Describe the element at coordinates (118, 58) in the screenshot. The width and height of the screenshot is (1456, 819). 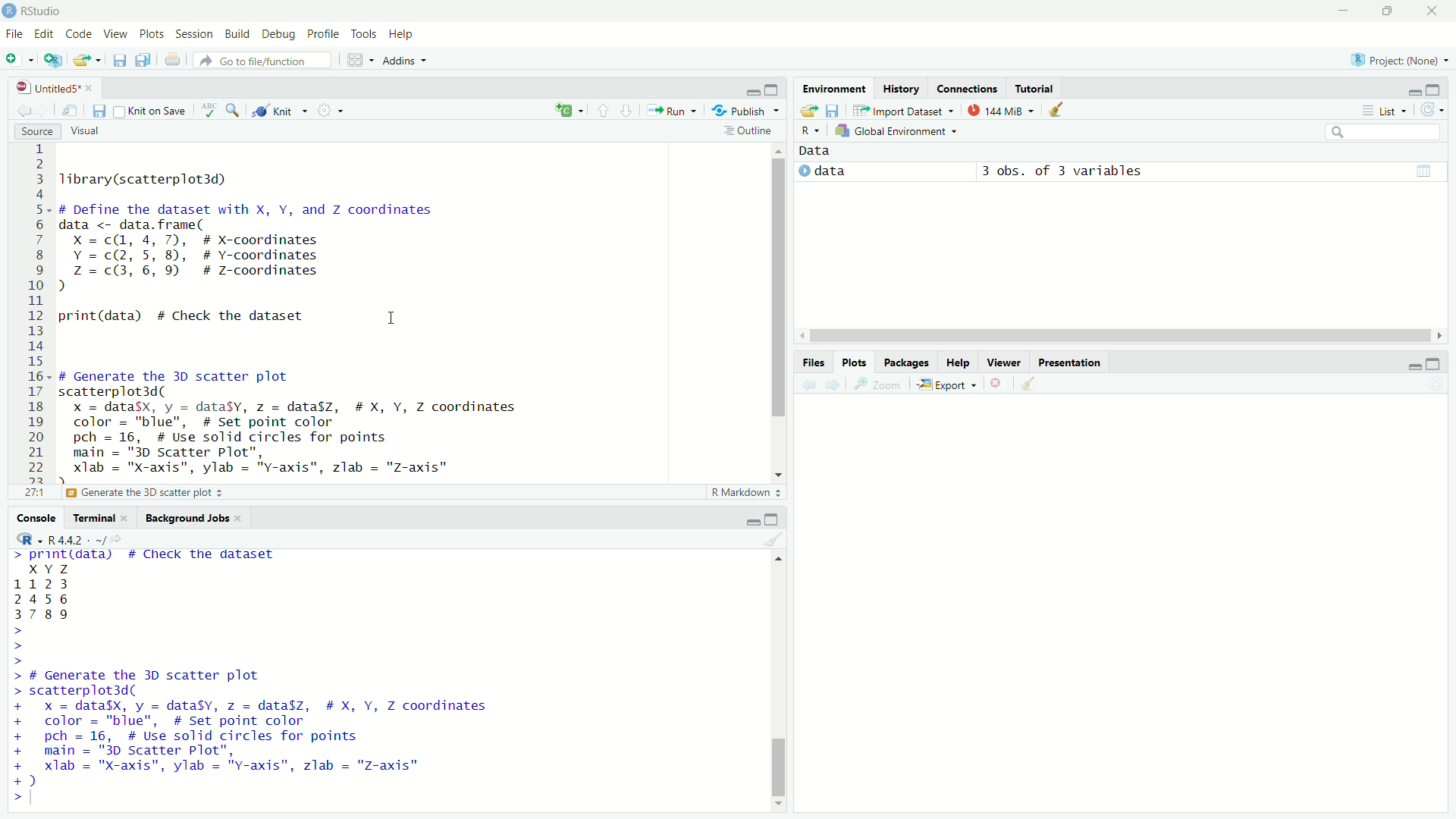
I see `Save current document` at that location.